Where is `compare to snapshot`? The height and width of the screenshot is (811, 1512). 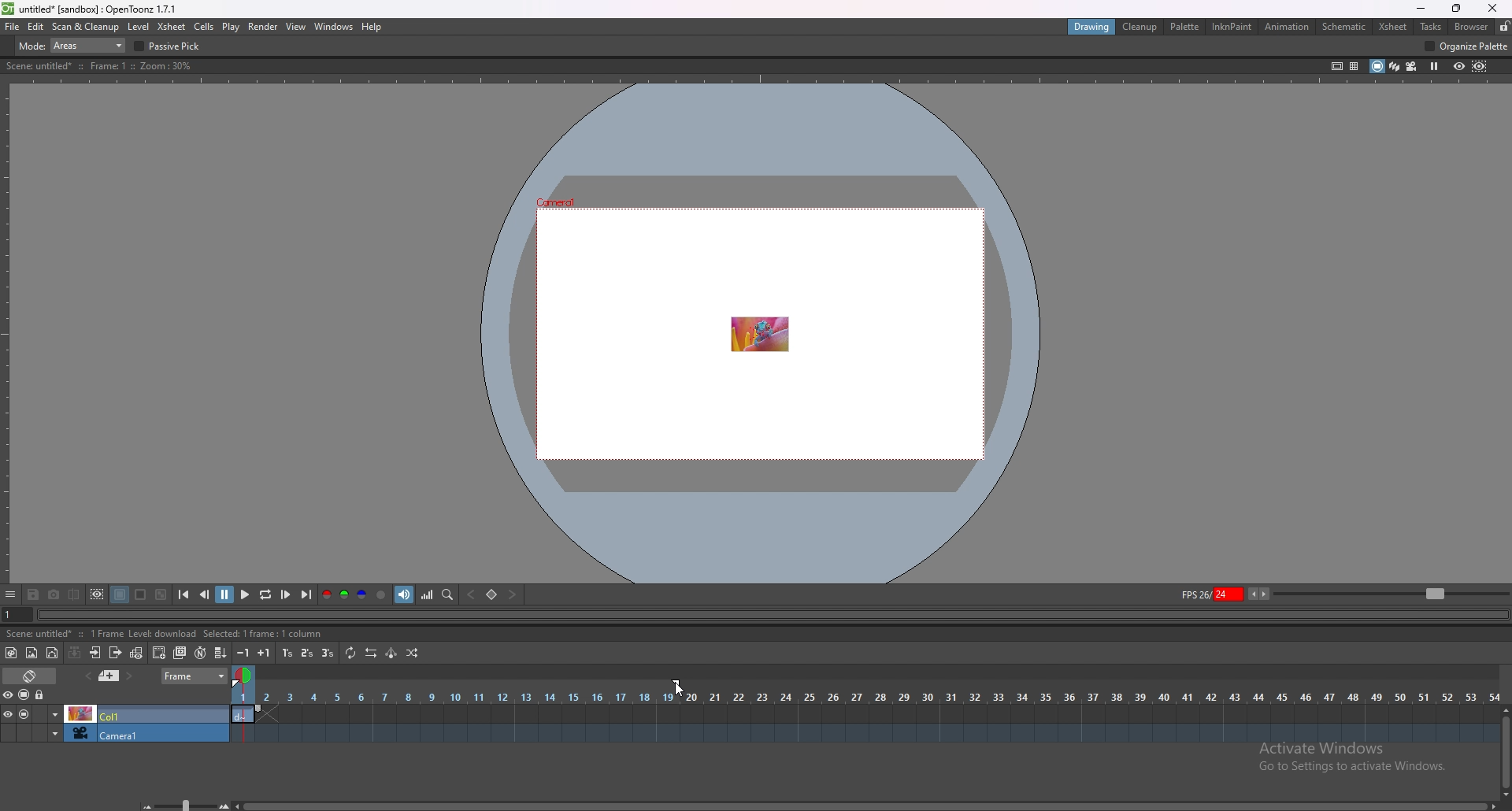 compare to snapshot is located at coordinates (74, 594).